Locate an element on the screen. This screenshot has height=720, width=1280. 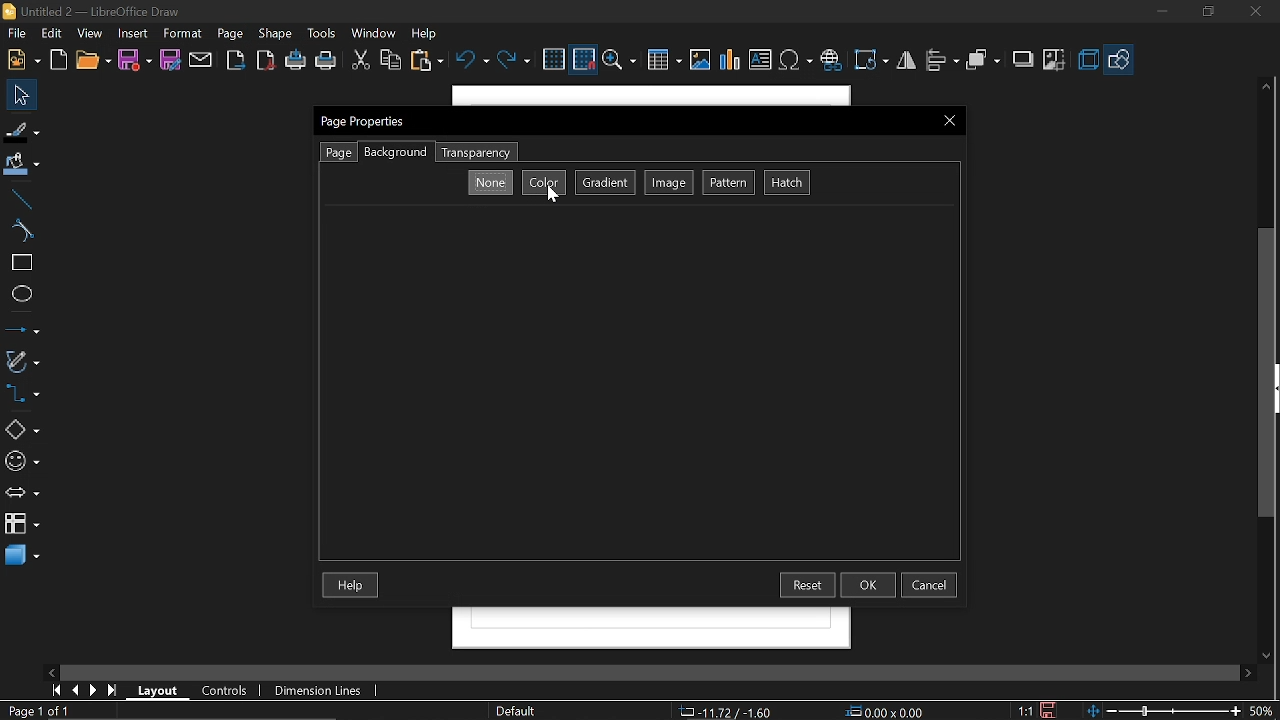
Redo is located at coordinates (514, 62).